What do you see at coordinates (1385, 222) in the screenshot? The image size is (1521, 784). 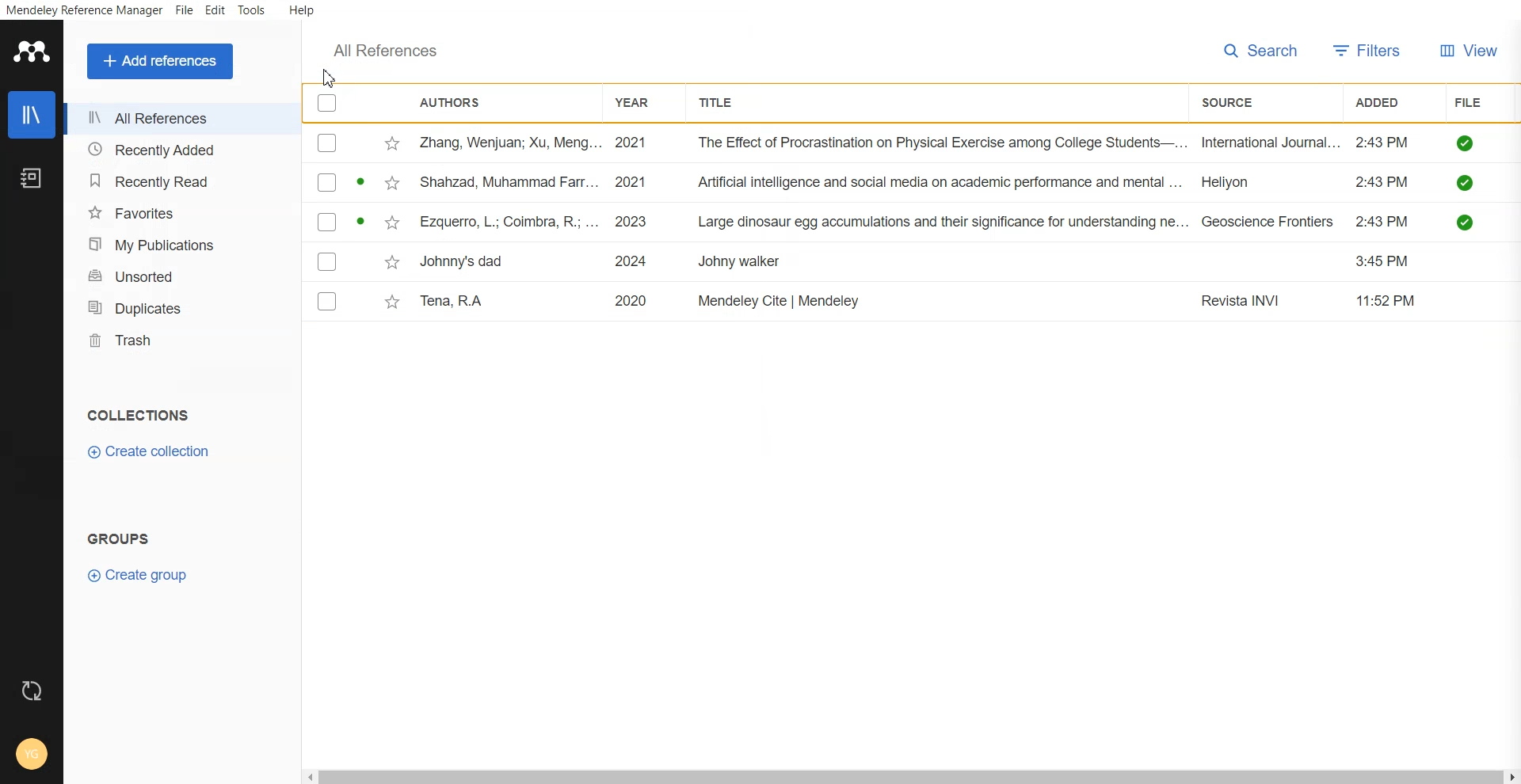 I see `2:43PM` at bounding box center [1385, 222].